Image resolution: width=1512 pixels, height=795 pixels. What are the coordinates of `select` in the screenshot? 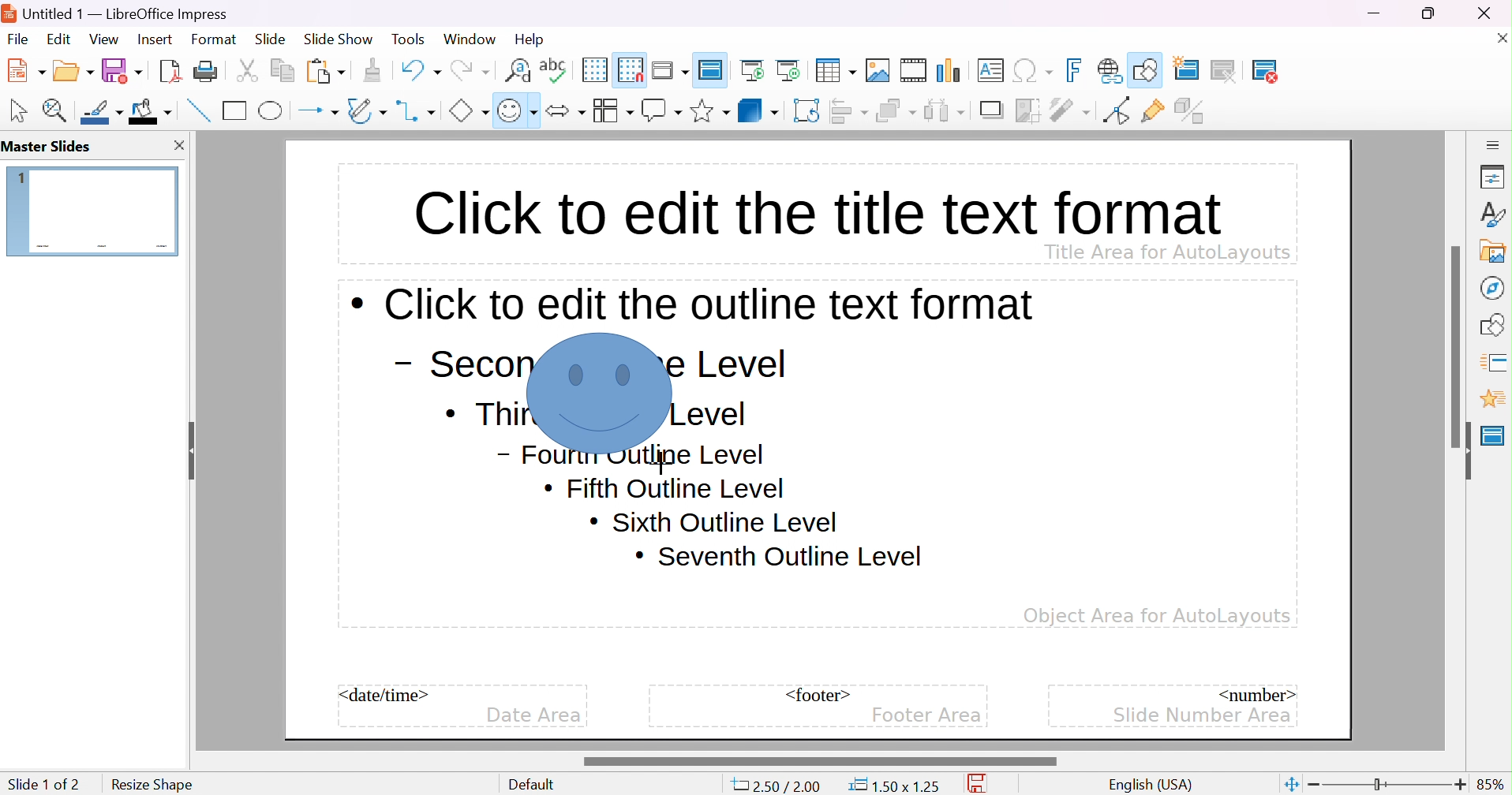 It's located at (20, 110).